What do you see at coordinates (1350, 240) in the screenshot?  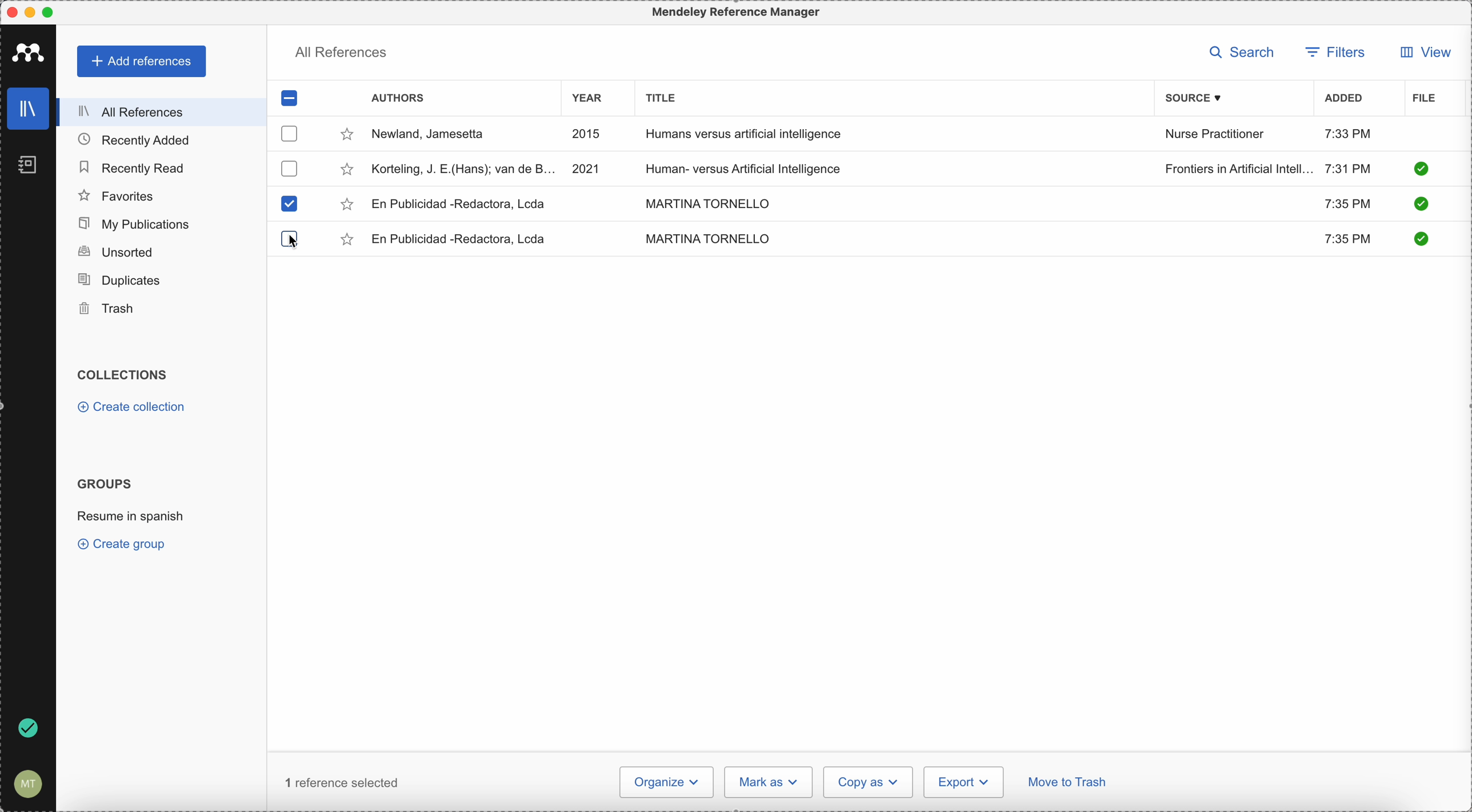 I see `7:35 PM` at bounding box center [1350, 240].